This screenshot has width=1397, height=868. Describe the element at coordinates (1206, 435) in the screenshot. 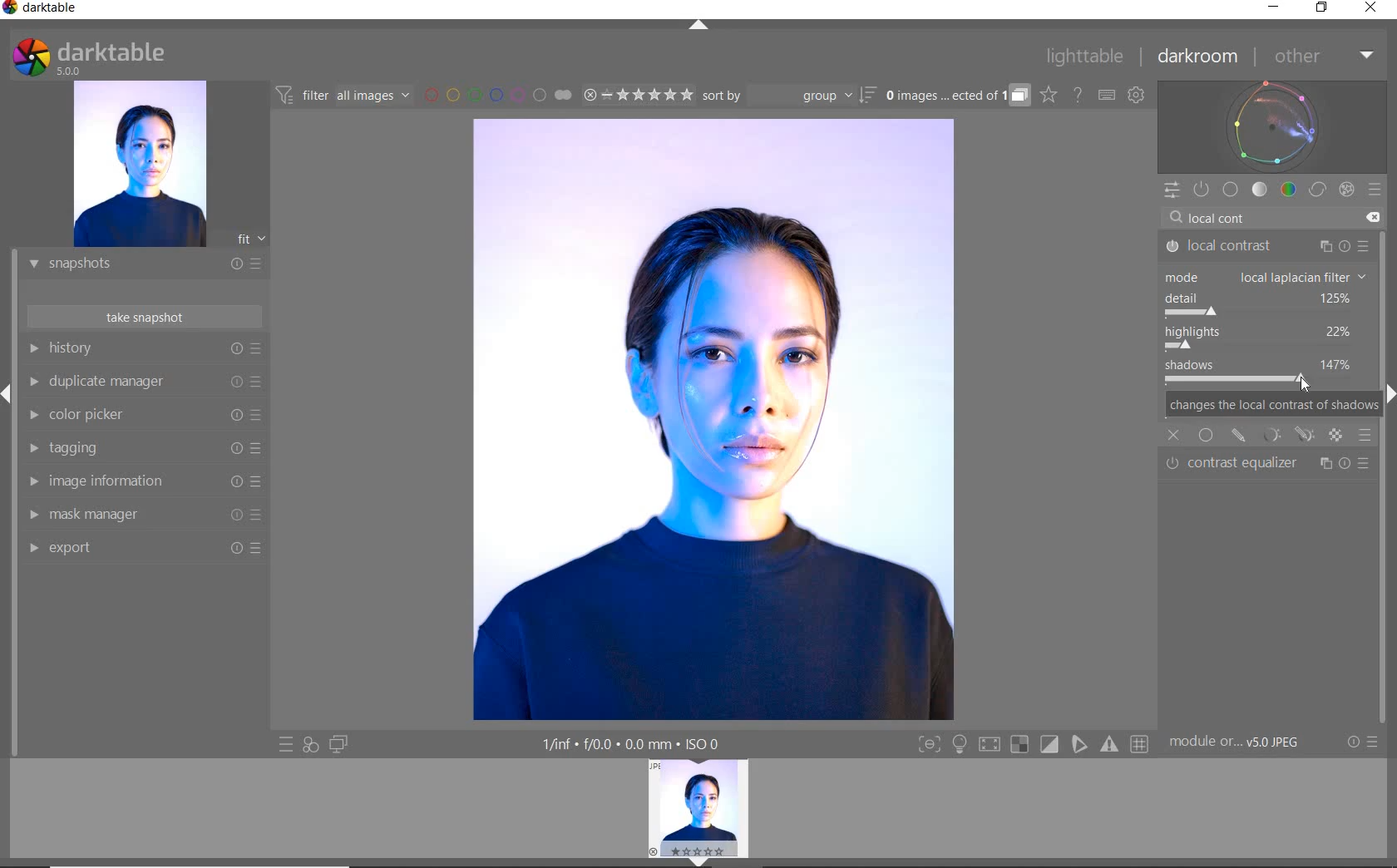

I see `uniformly` at that location.